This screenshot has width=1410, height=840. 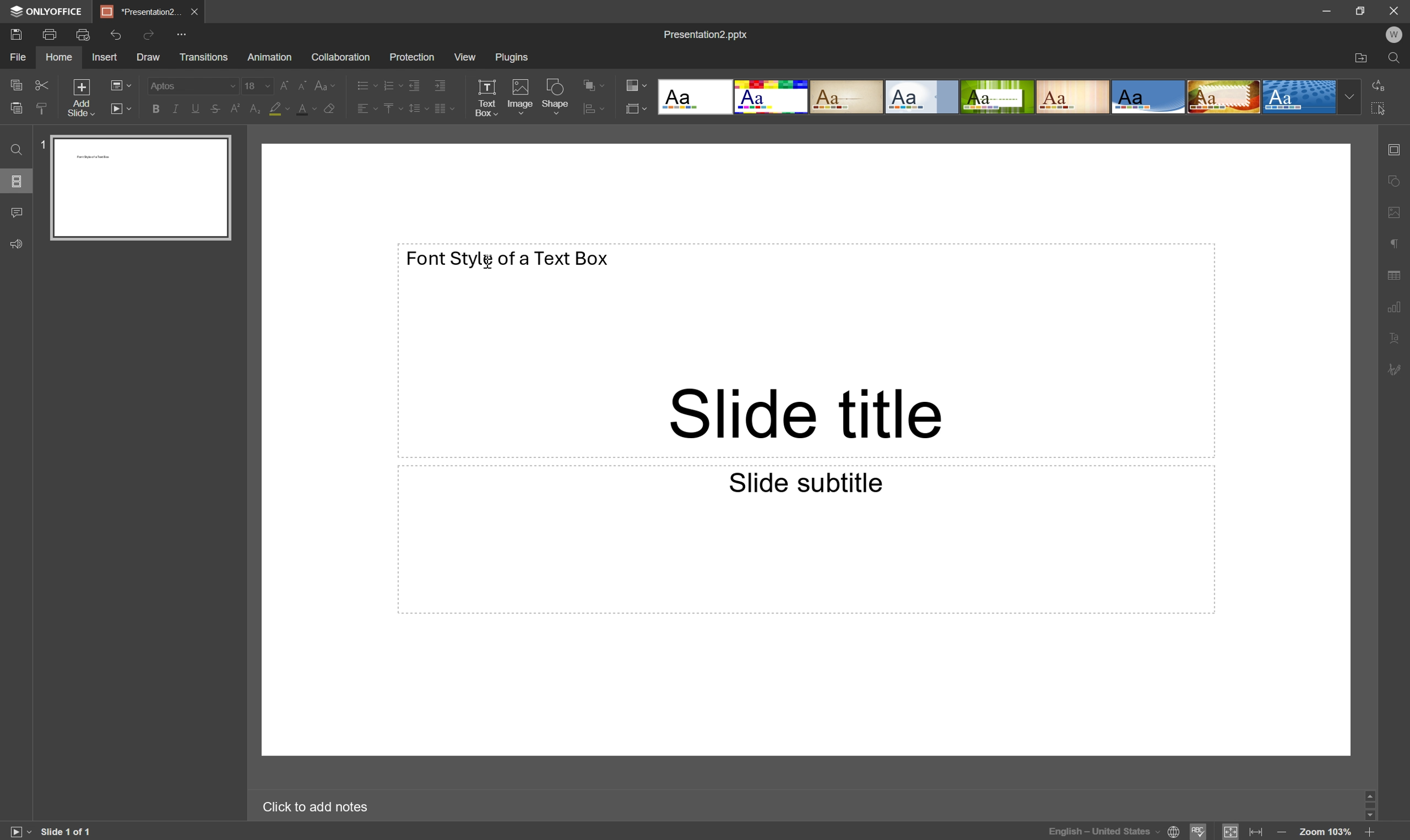 What do you see at coordinates (521, 97) in the screenshot?
I see `Image` at bounding box center [521, 97].